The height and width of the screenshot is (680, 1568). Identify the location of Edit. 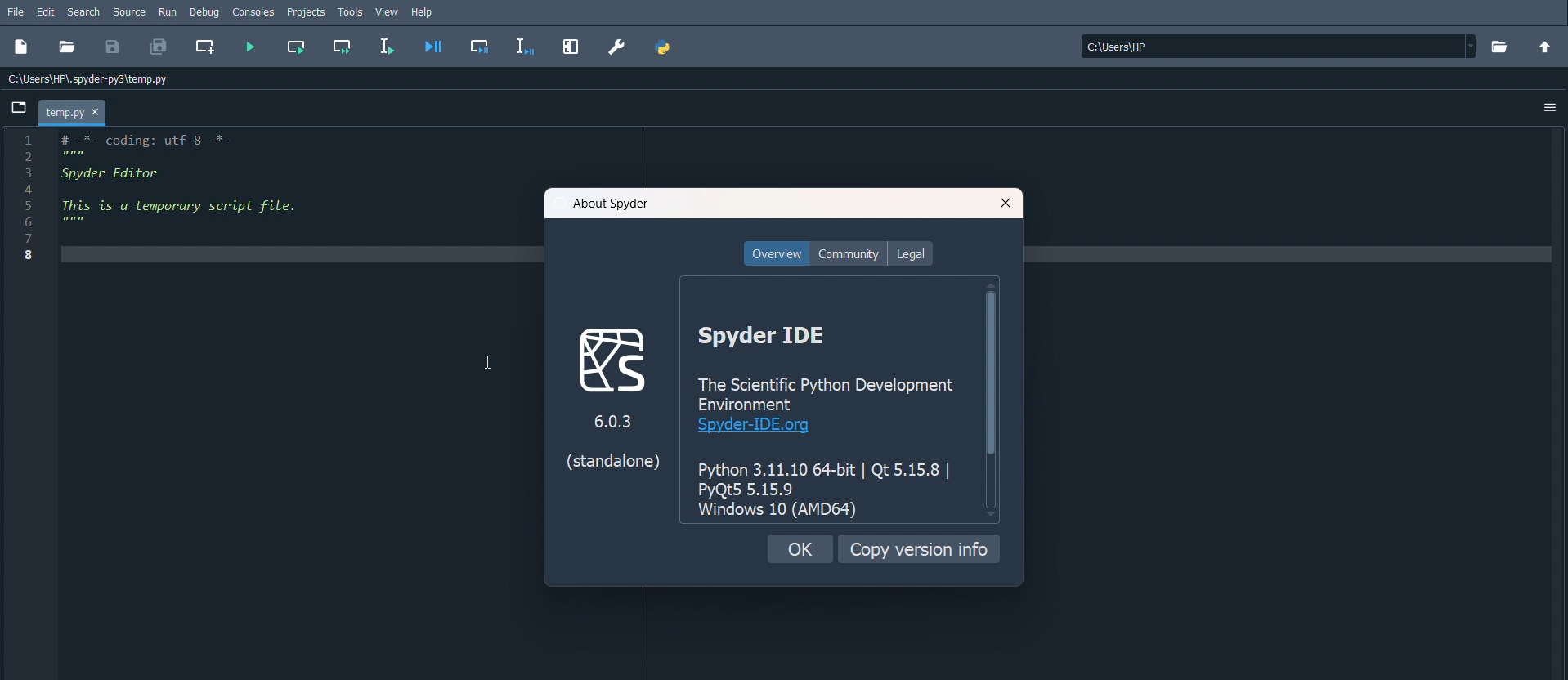
(46, 11).